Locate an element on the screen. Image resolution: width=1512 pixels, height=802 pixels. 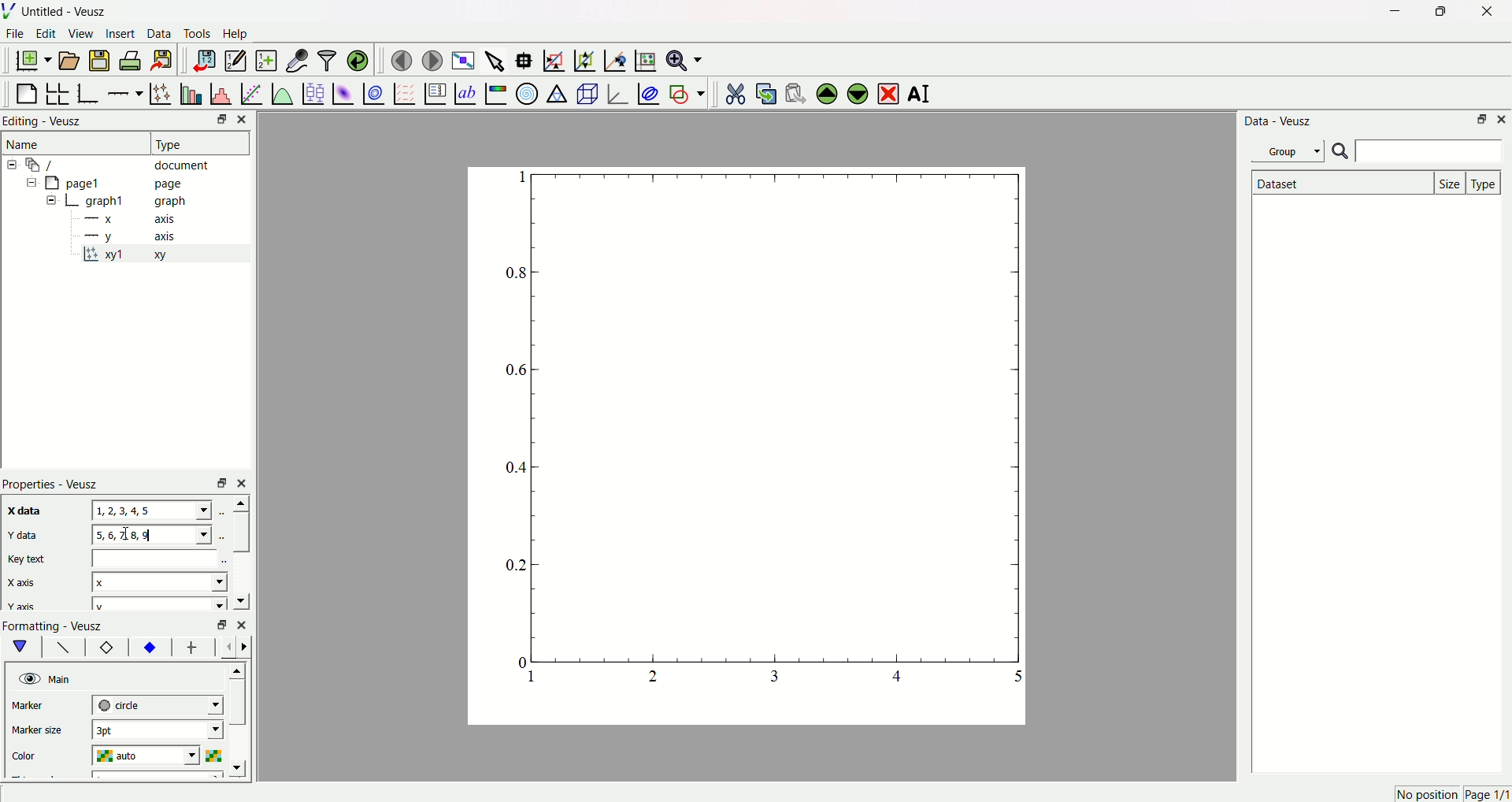
Help is located at coordinates (240, 34).